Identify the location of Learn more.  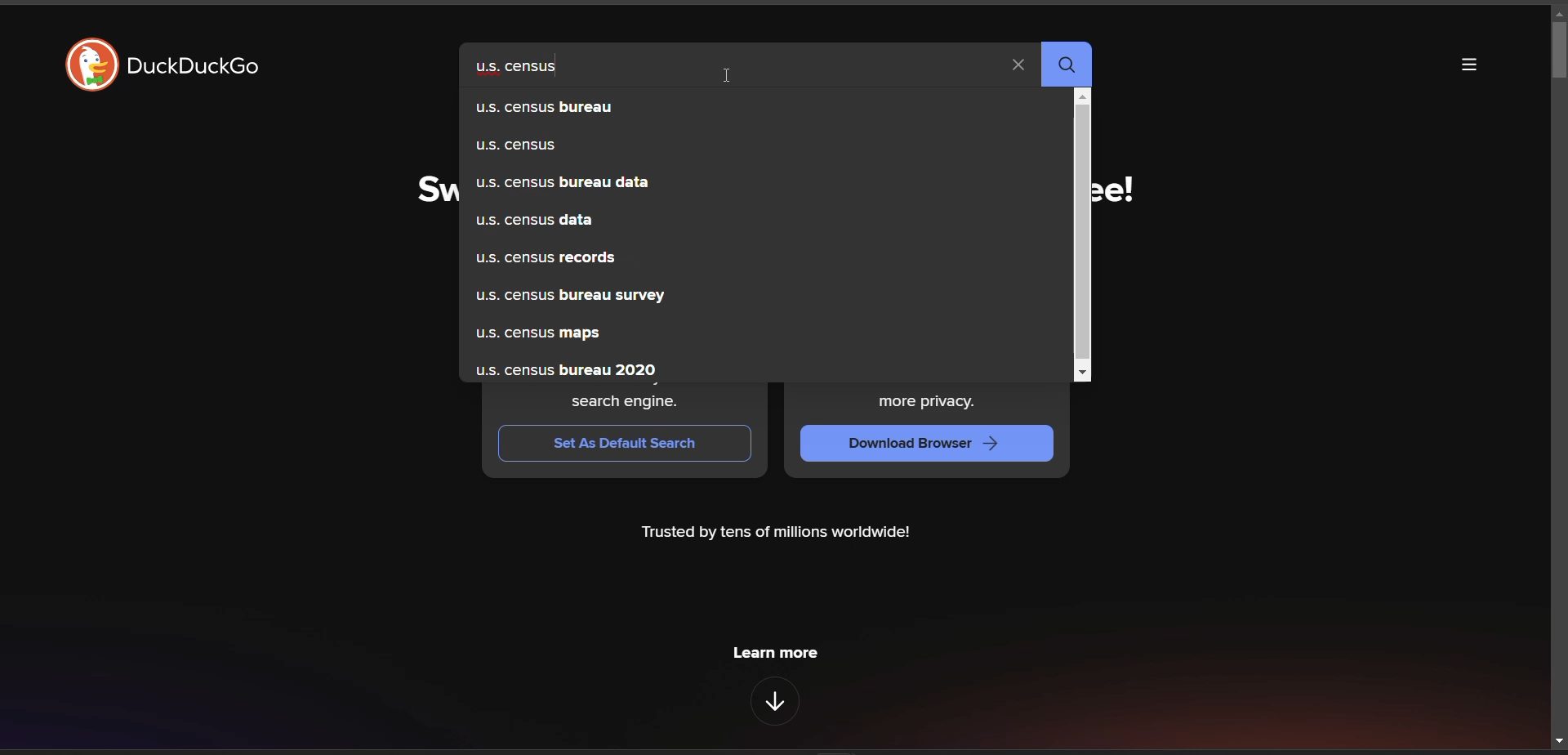
(773, 653).